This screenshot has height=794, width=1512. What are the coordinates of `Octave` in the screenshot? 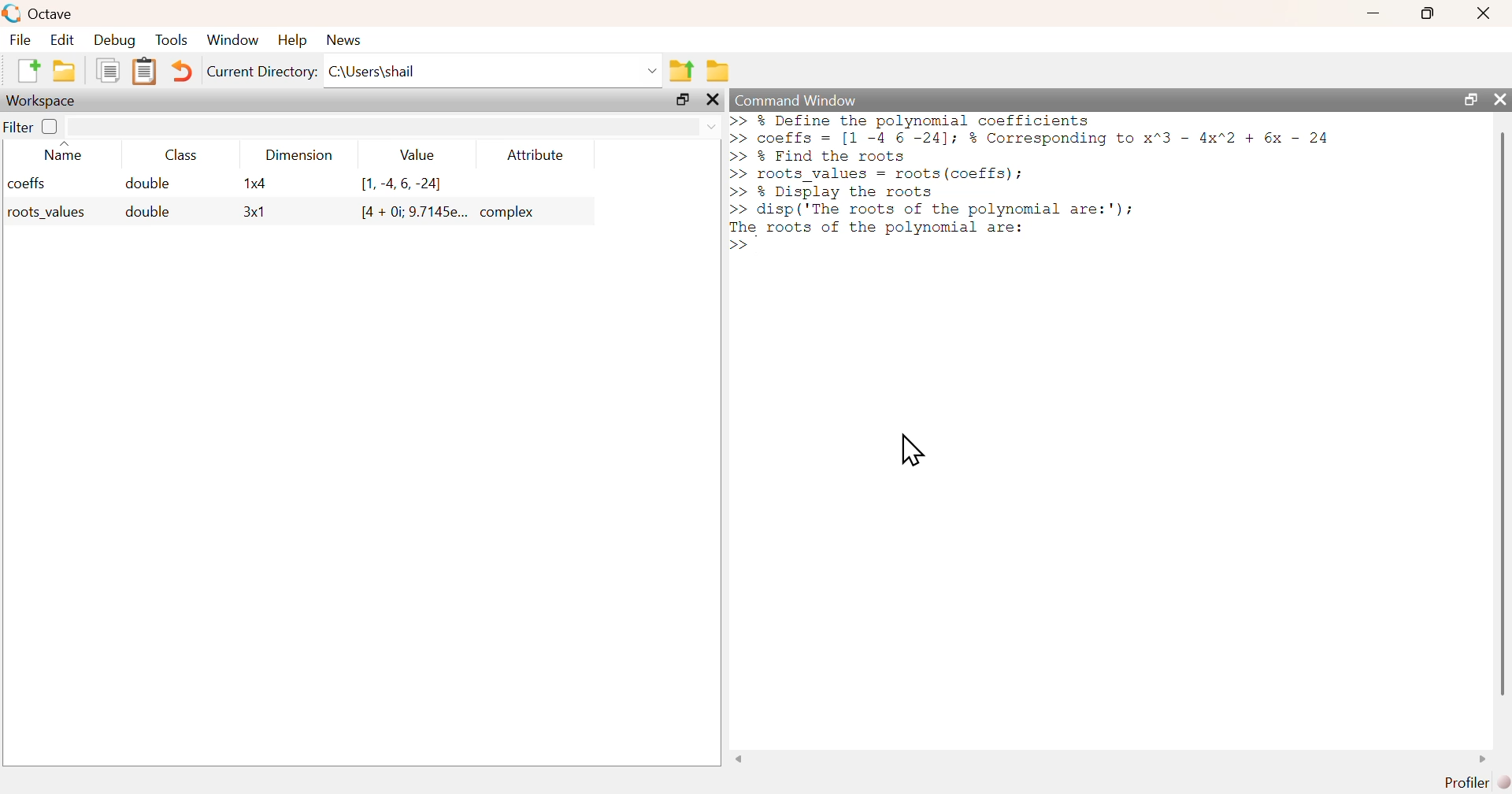 It's located at (50, 13).